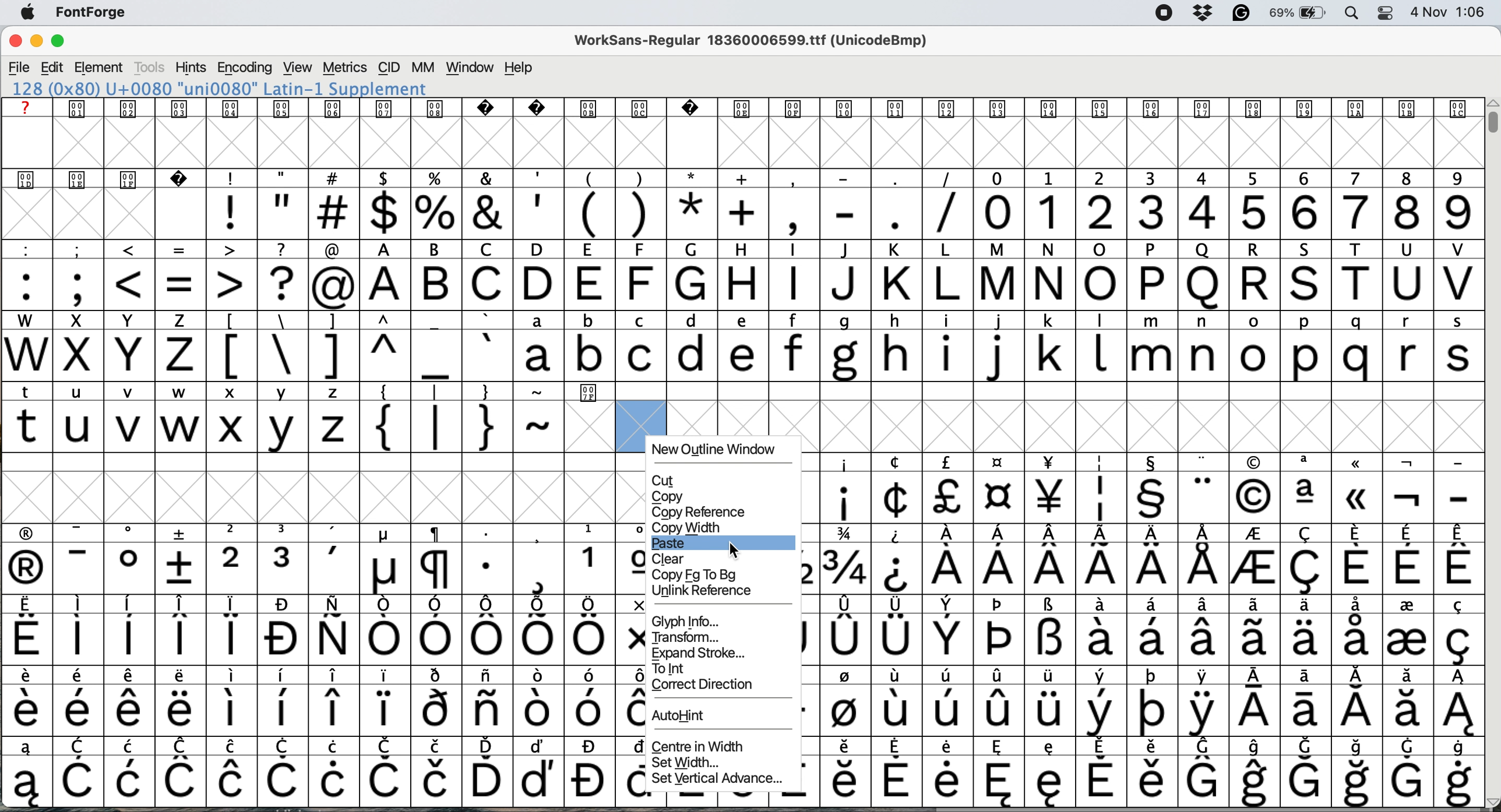 The image size is (1501, 812). I want to click on lower case and upper case text and special characters, so click(745, 318).